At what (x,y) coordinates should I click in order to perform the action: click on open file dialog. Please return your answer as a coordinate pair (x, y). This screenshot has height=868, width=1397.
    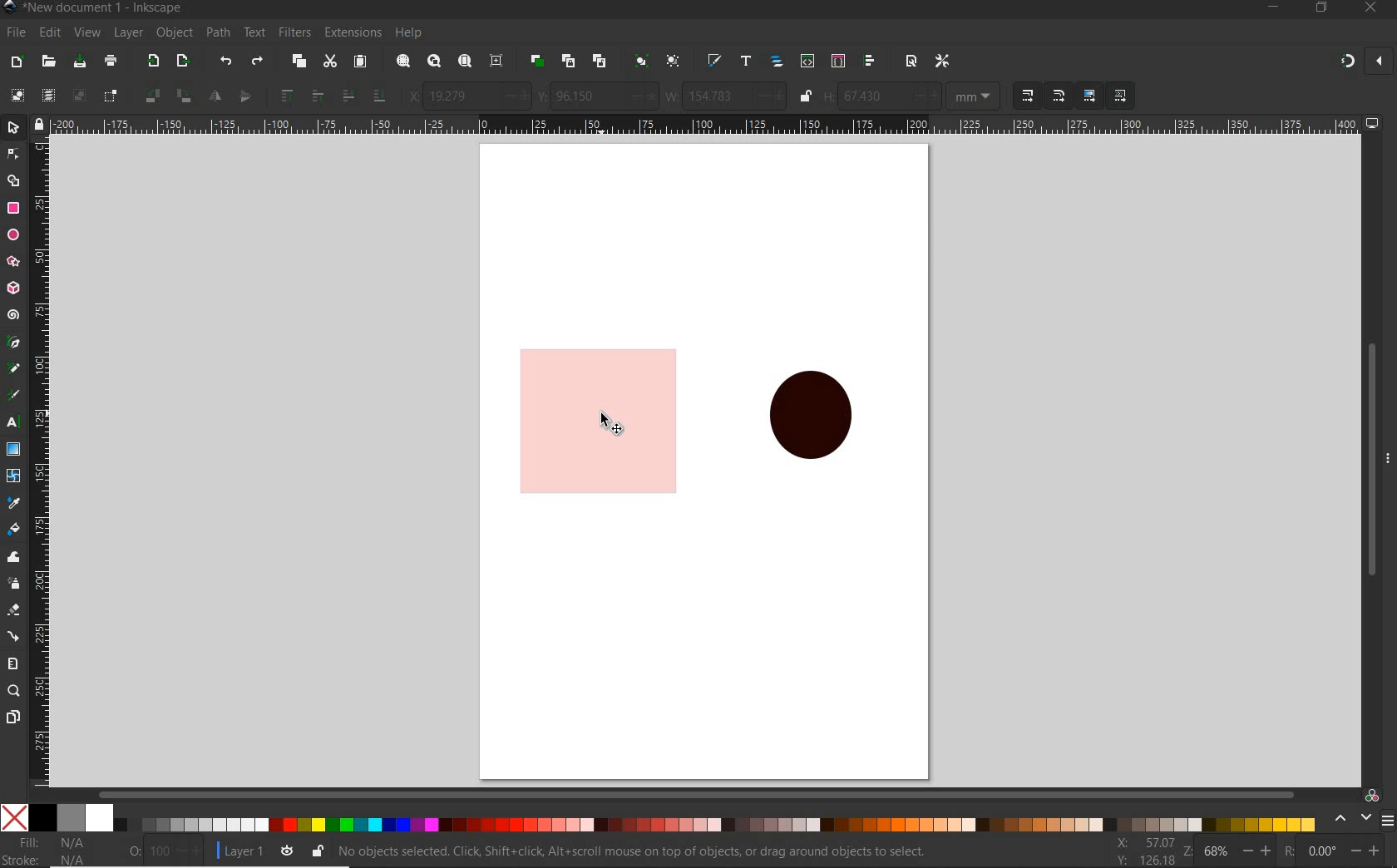
    Looking at the image, I should click on (49, 62).